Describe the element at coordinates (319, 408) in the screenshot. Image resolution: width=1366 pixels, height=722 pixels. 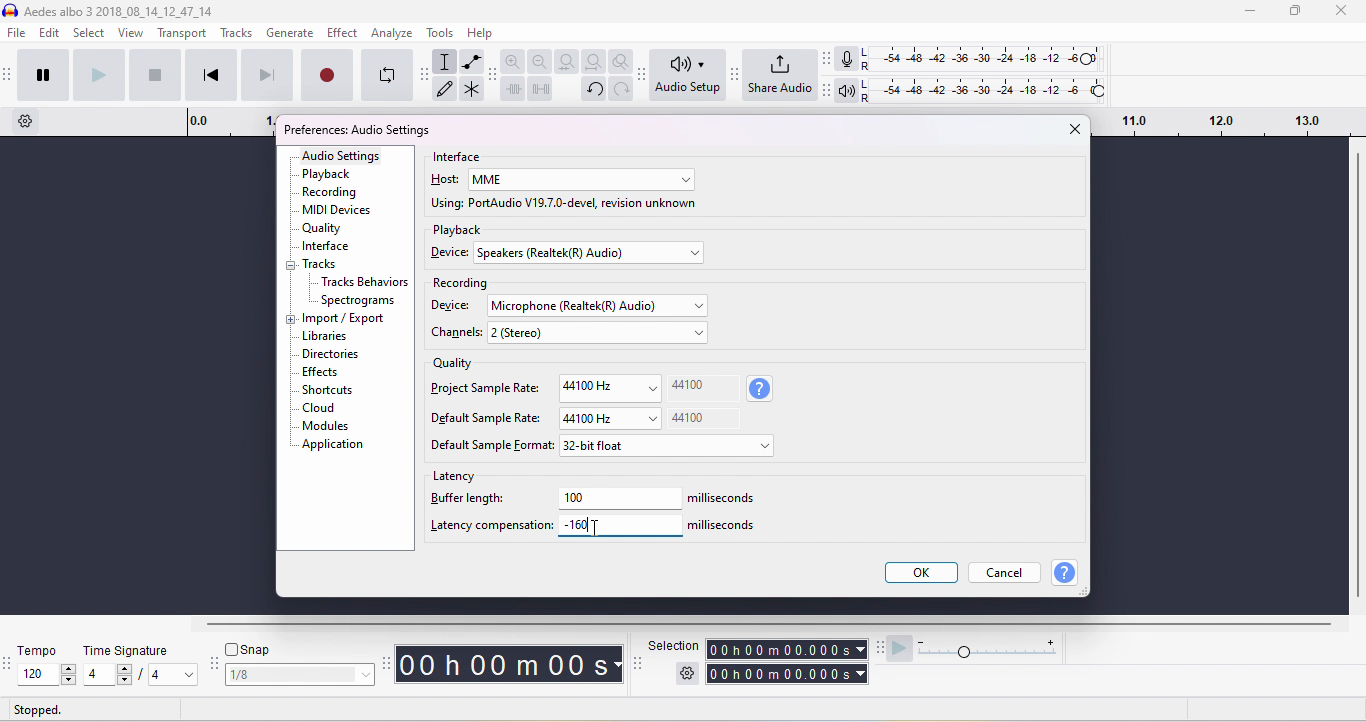
I see `cloud` at that location.